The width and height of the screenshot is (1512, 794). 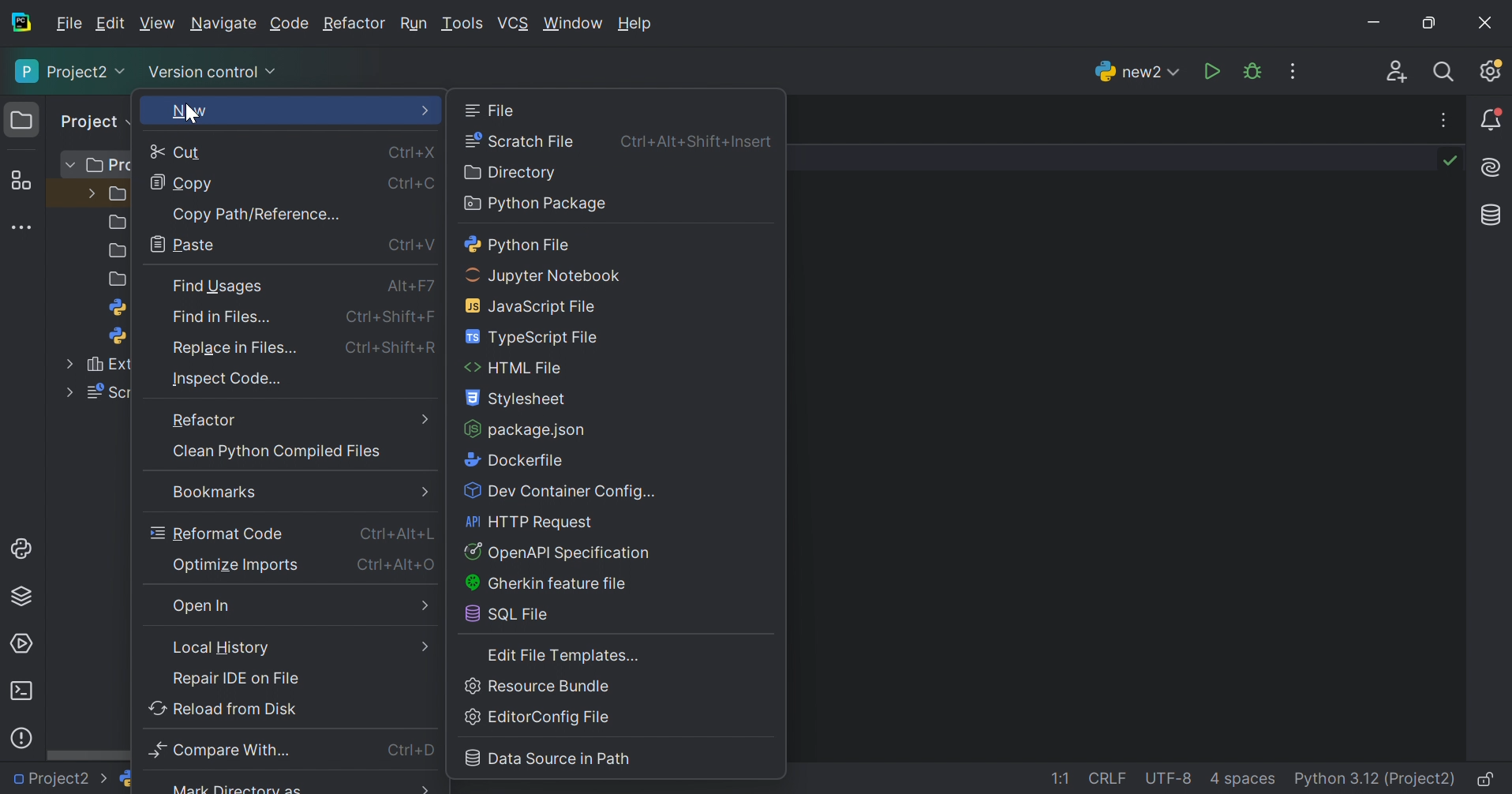 I want to click on 4 spaces, so click(x=1243, y=781).